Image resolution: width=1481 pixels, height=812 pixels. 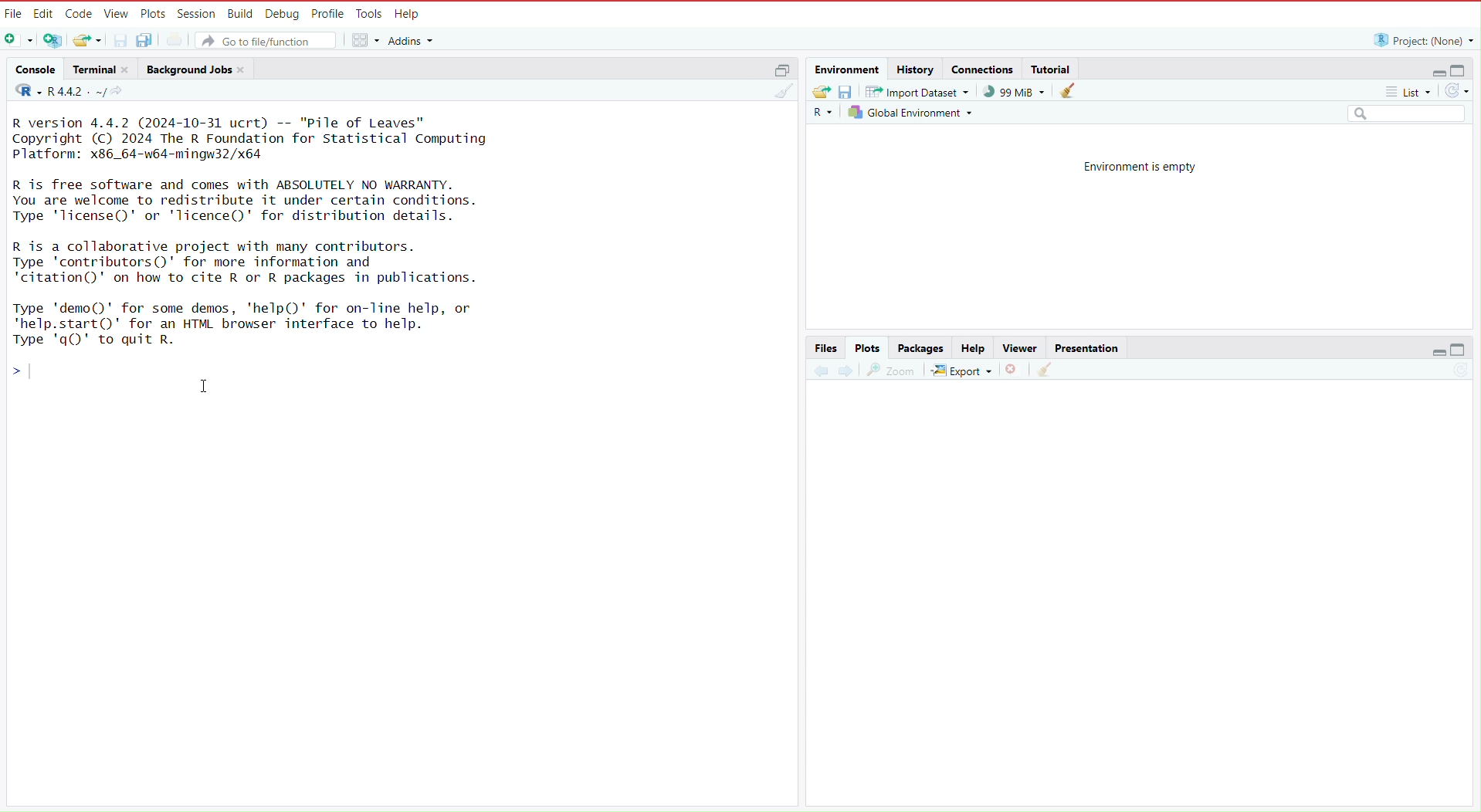 I want to click on files, so click(x=826, y=347).